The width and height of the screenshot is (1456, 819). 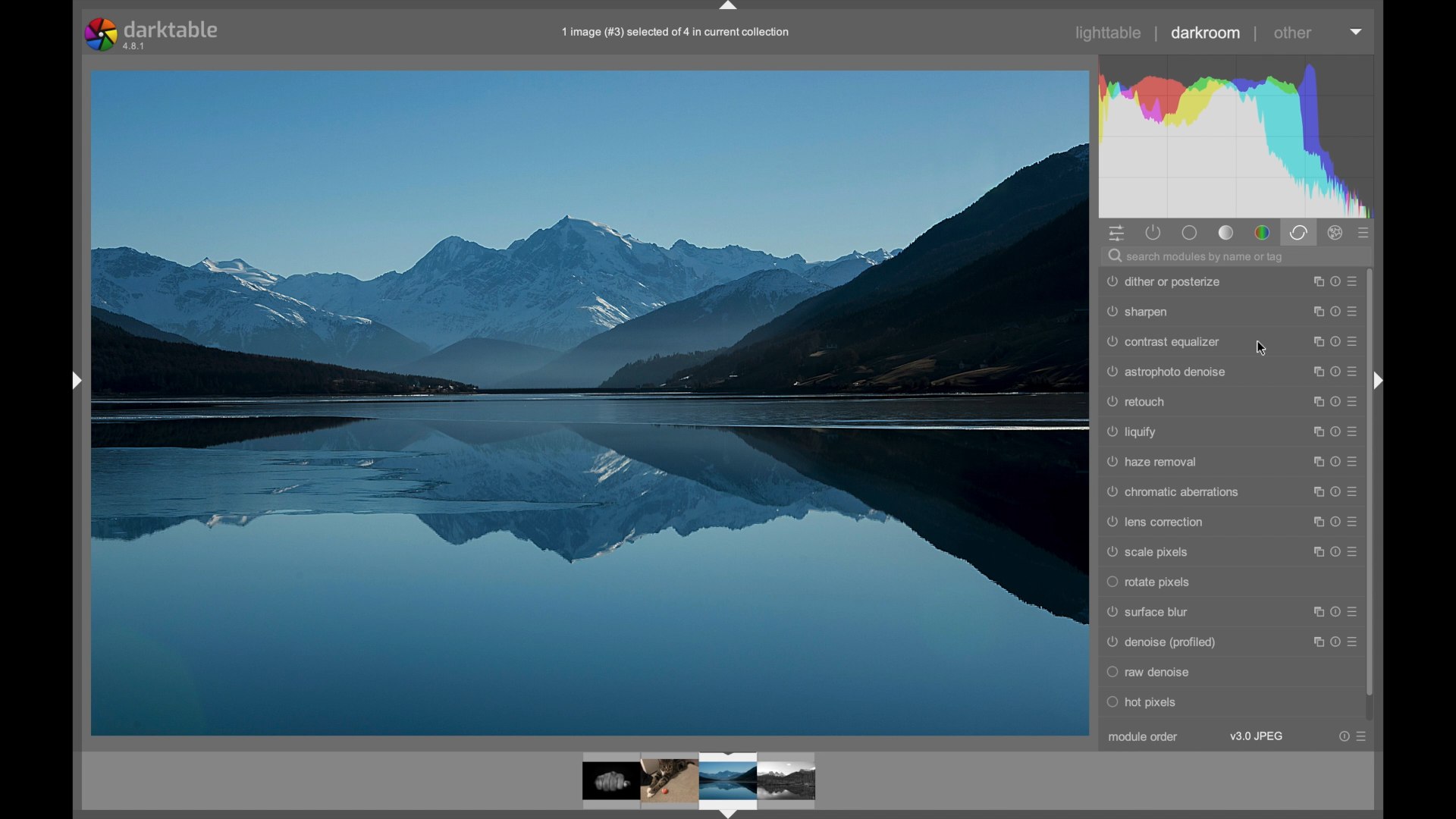 What do you see at coordinates (1238, 135) in the screenshot?
I see `histogram` at bounding box center [1238, 135].